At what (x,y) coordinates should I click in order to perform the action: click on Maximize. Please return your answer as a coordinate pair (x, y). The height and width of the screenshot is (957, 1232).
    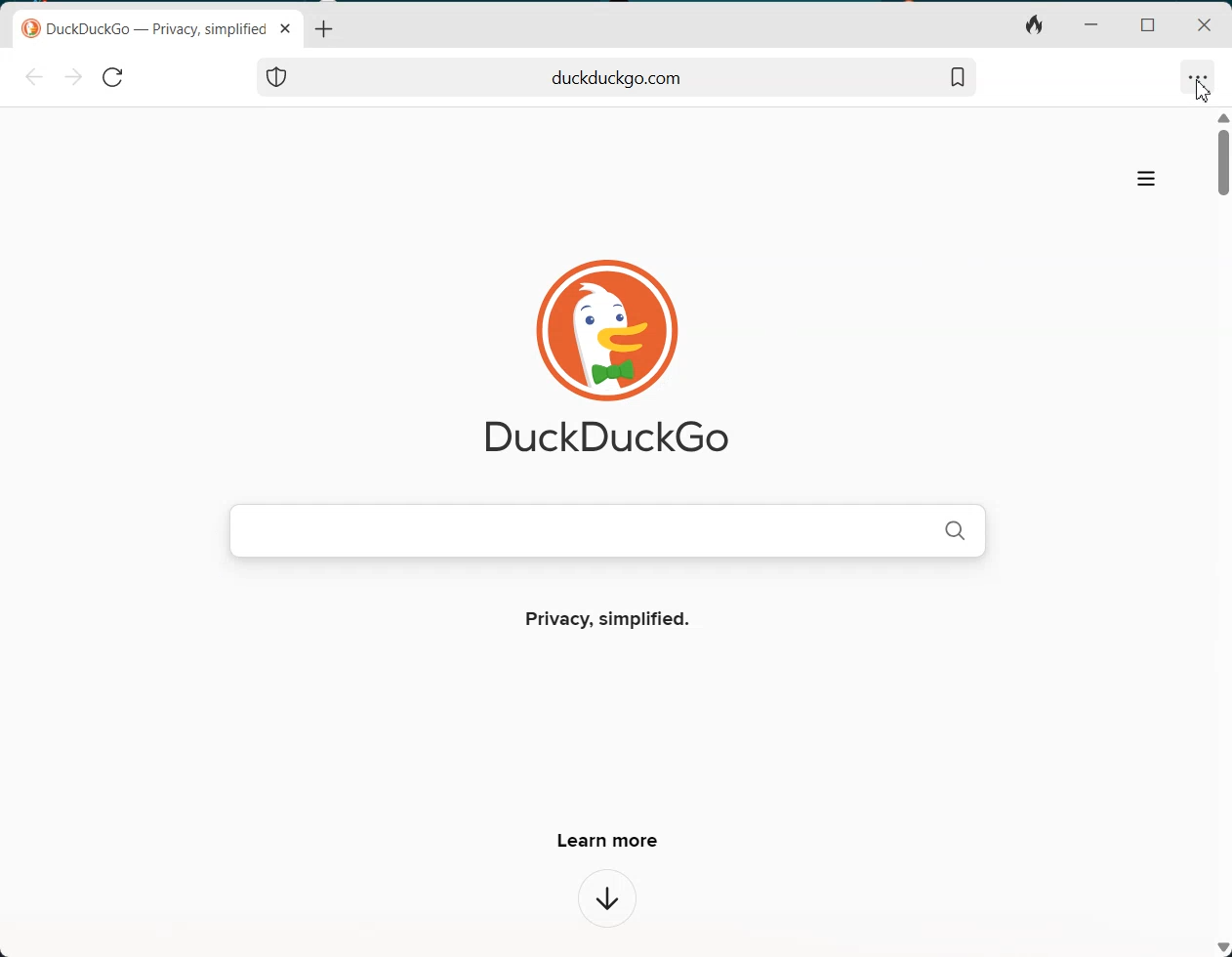
    Looking at the image, I should click on (1146, 25).